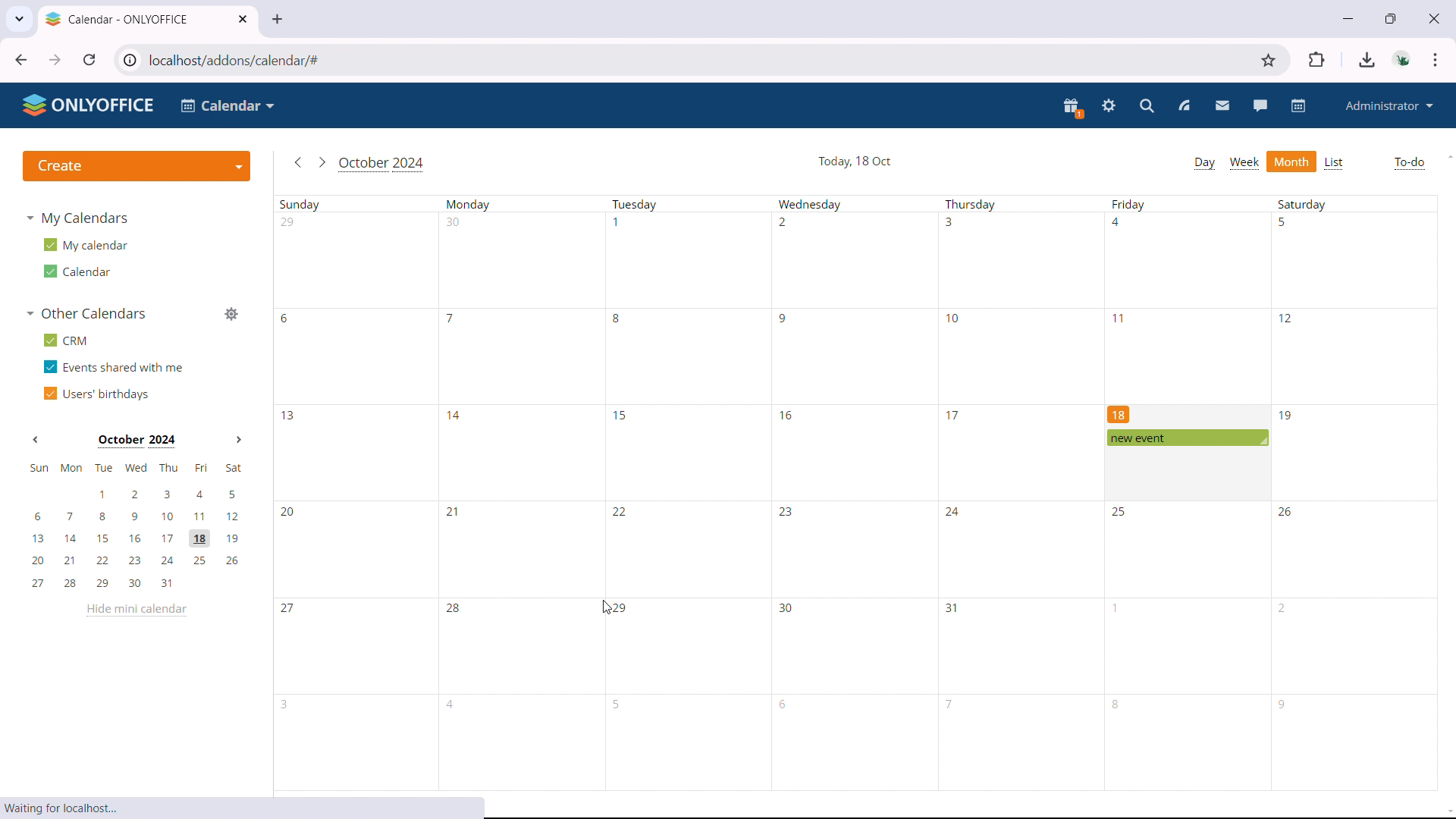  What do you see at coordinates (76, 271) in the screenshot?
I see `Calendar` at bounding box center [76, 271].